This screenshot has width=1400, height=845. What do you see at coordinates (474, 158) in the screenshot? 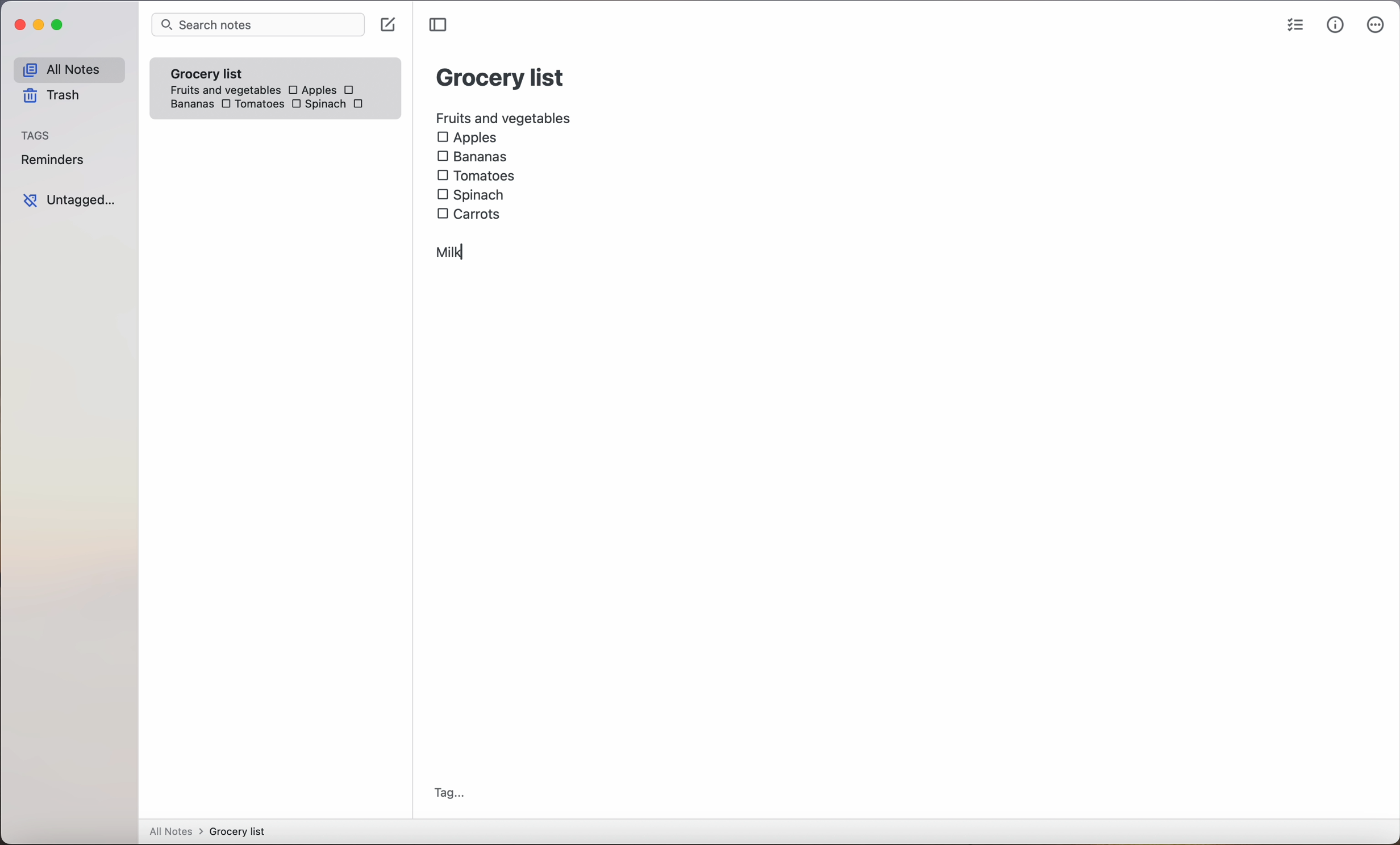
I see `Bananas checkbox` at bounding box center [474, 158].